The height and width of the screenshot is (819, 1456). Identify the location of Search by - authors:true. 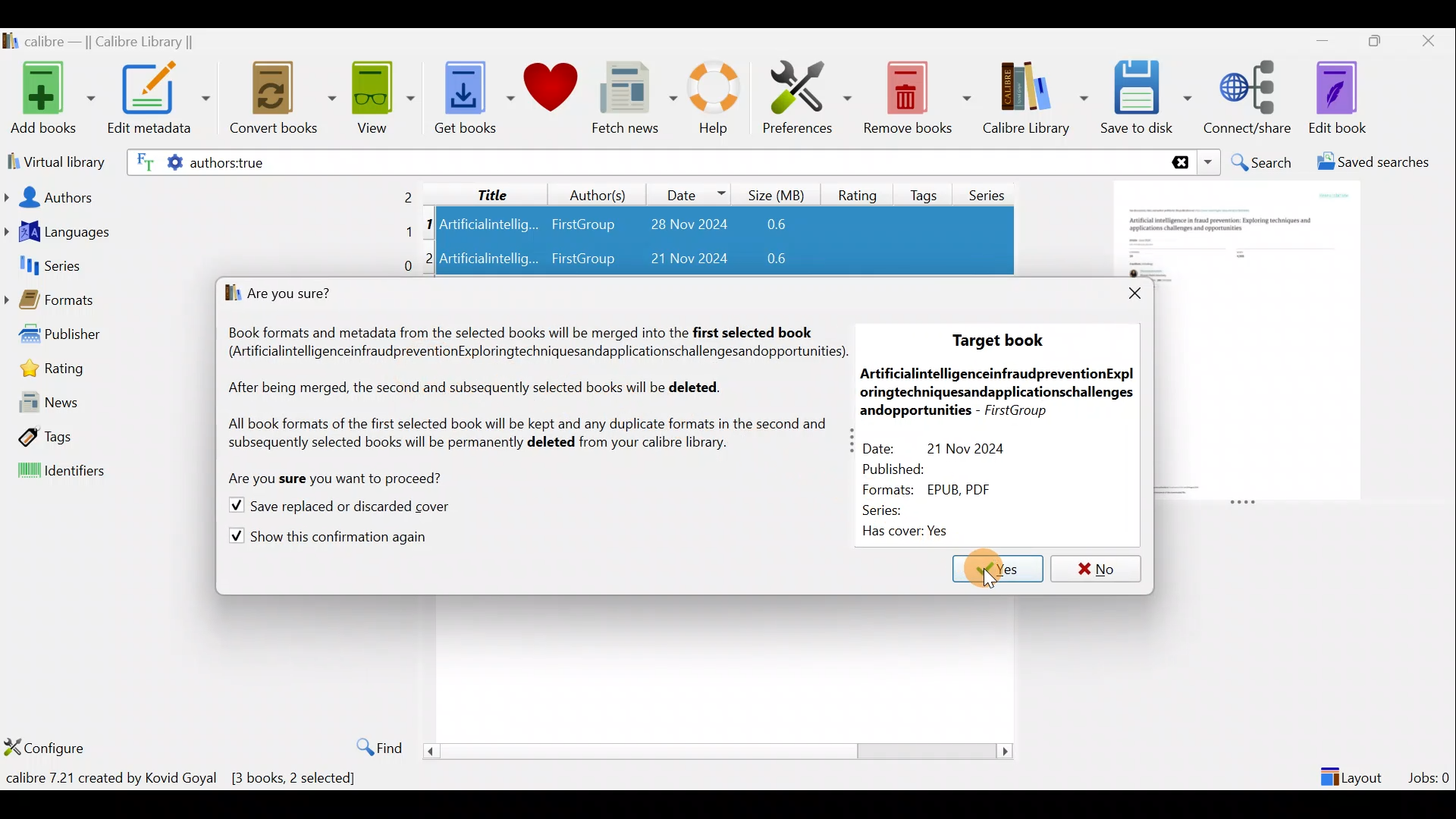
(642, 162).